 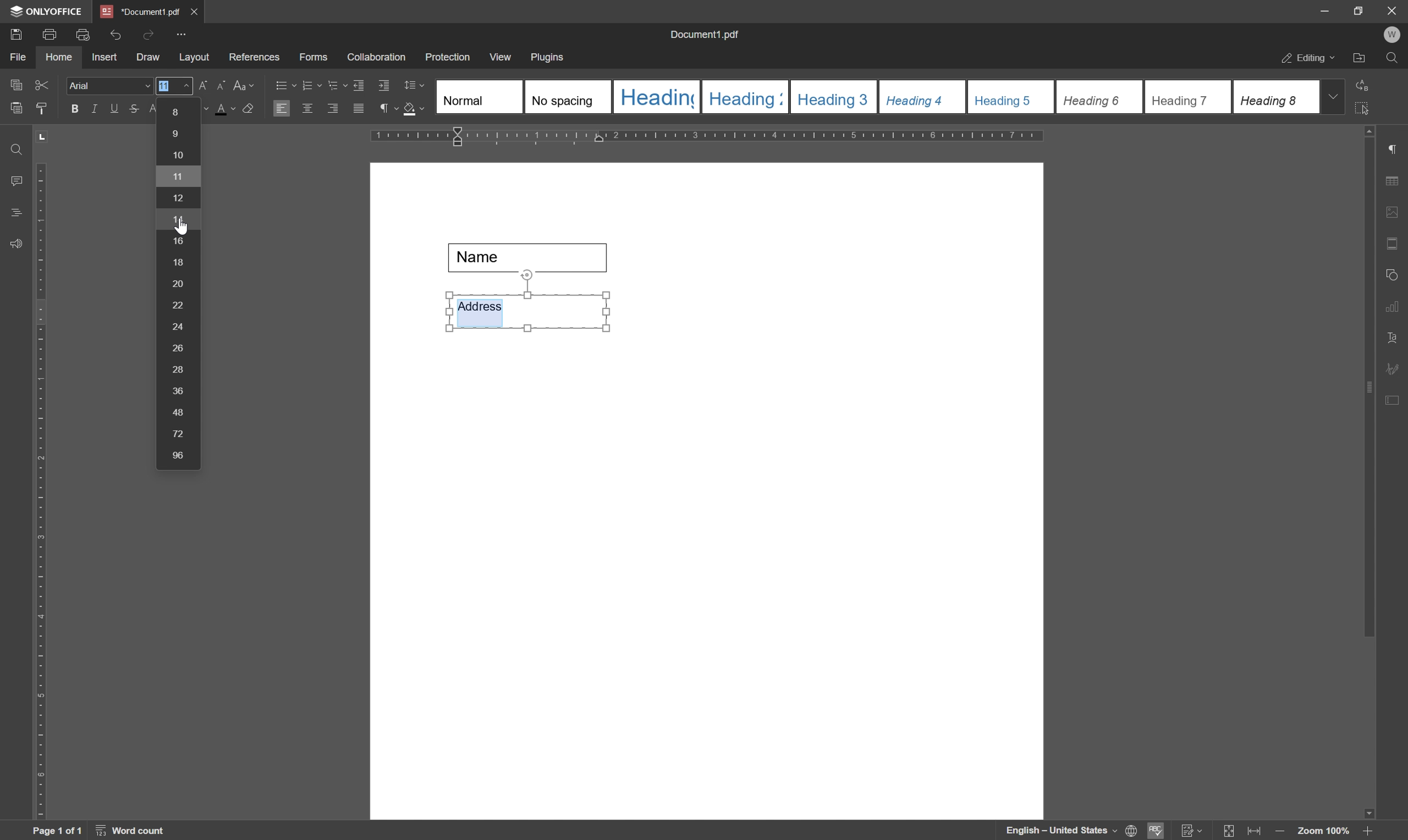 I want to click on decrement font size, so click(x=219, y=87).